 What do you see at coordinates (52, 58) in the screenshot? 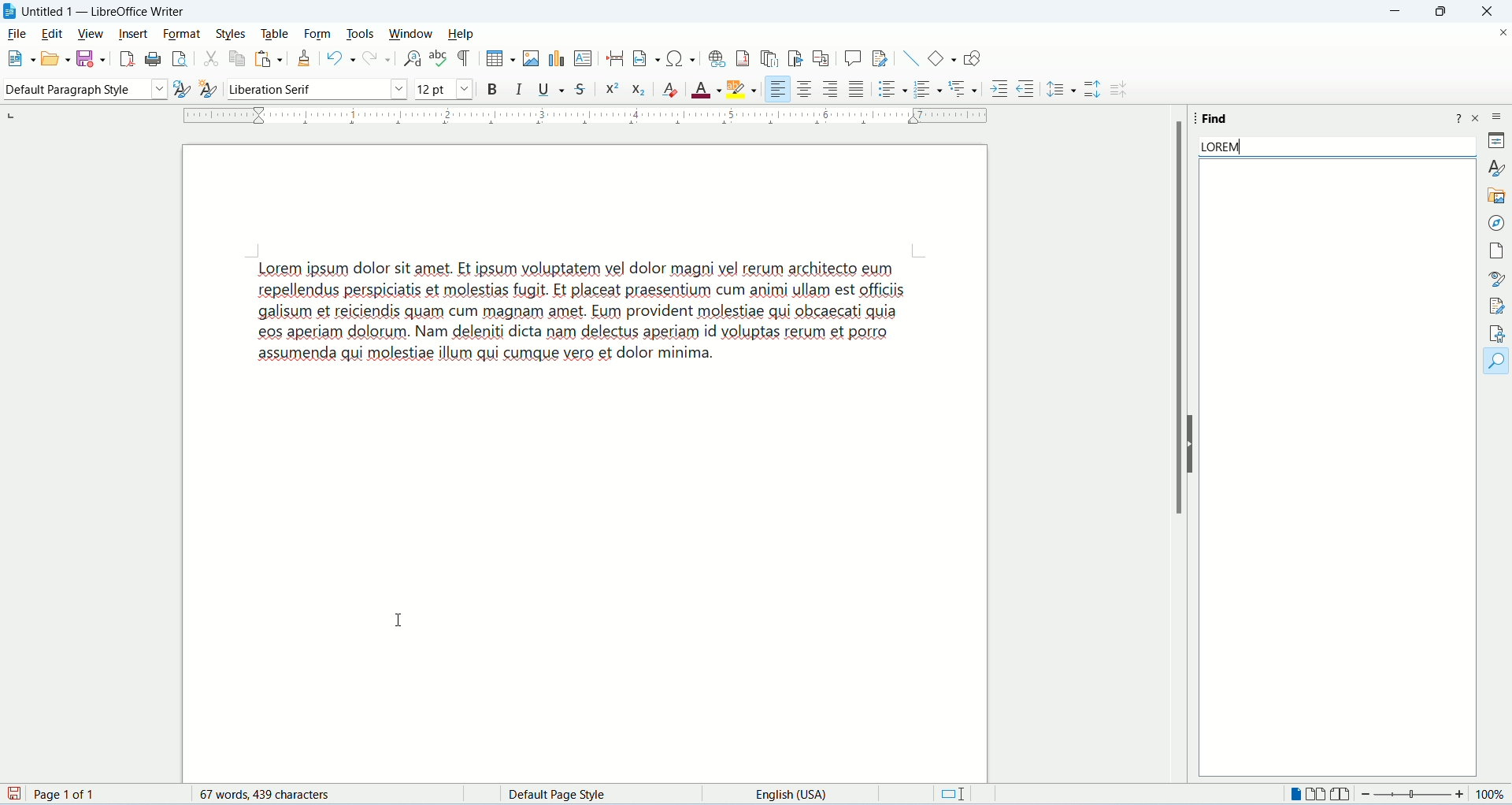
I see `open` at bounding box center [52, 58].